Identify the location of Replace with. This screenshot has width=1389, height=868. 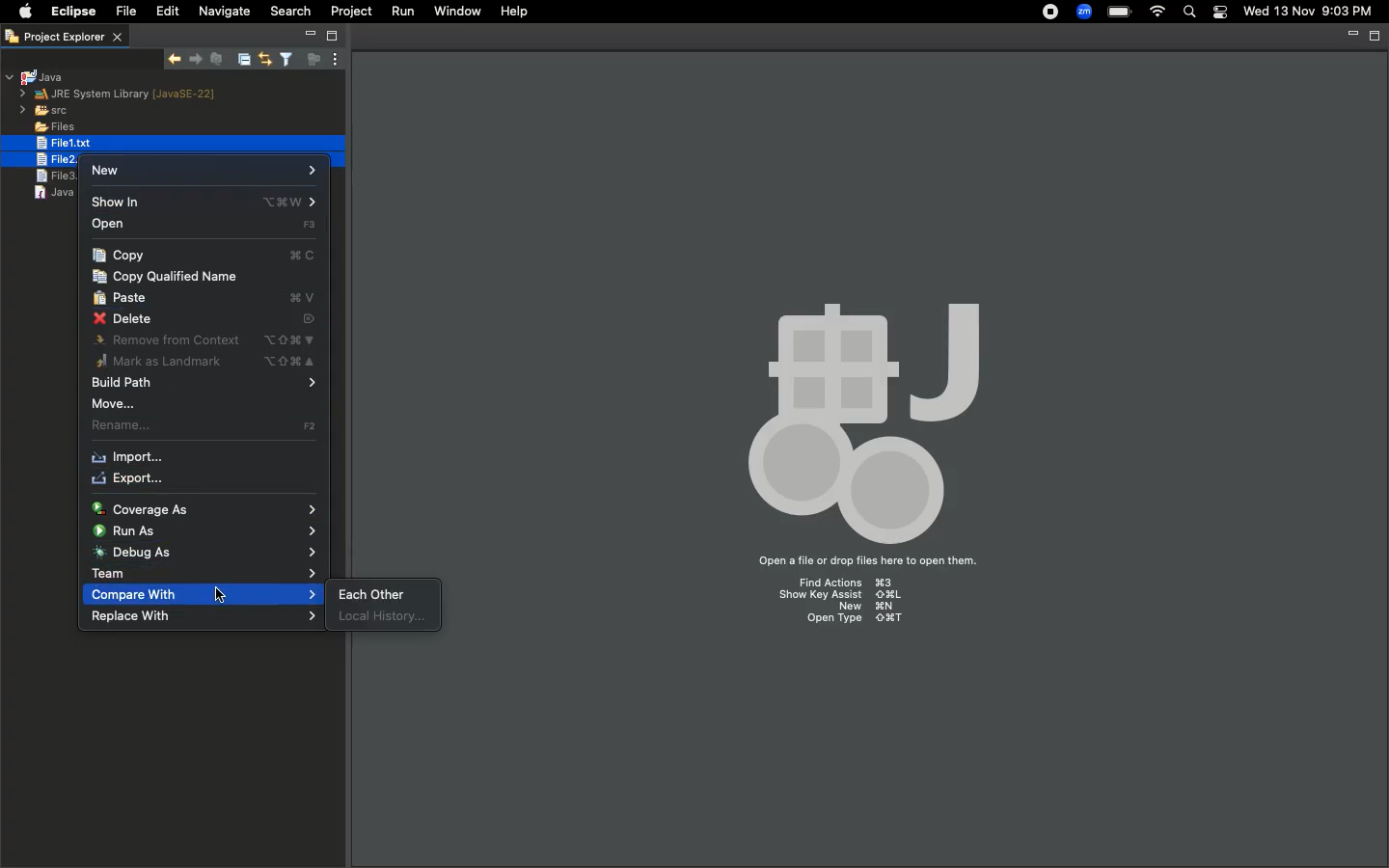
(204, 617).